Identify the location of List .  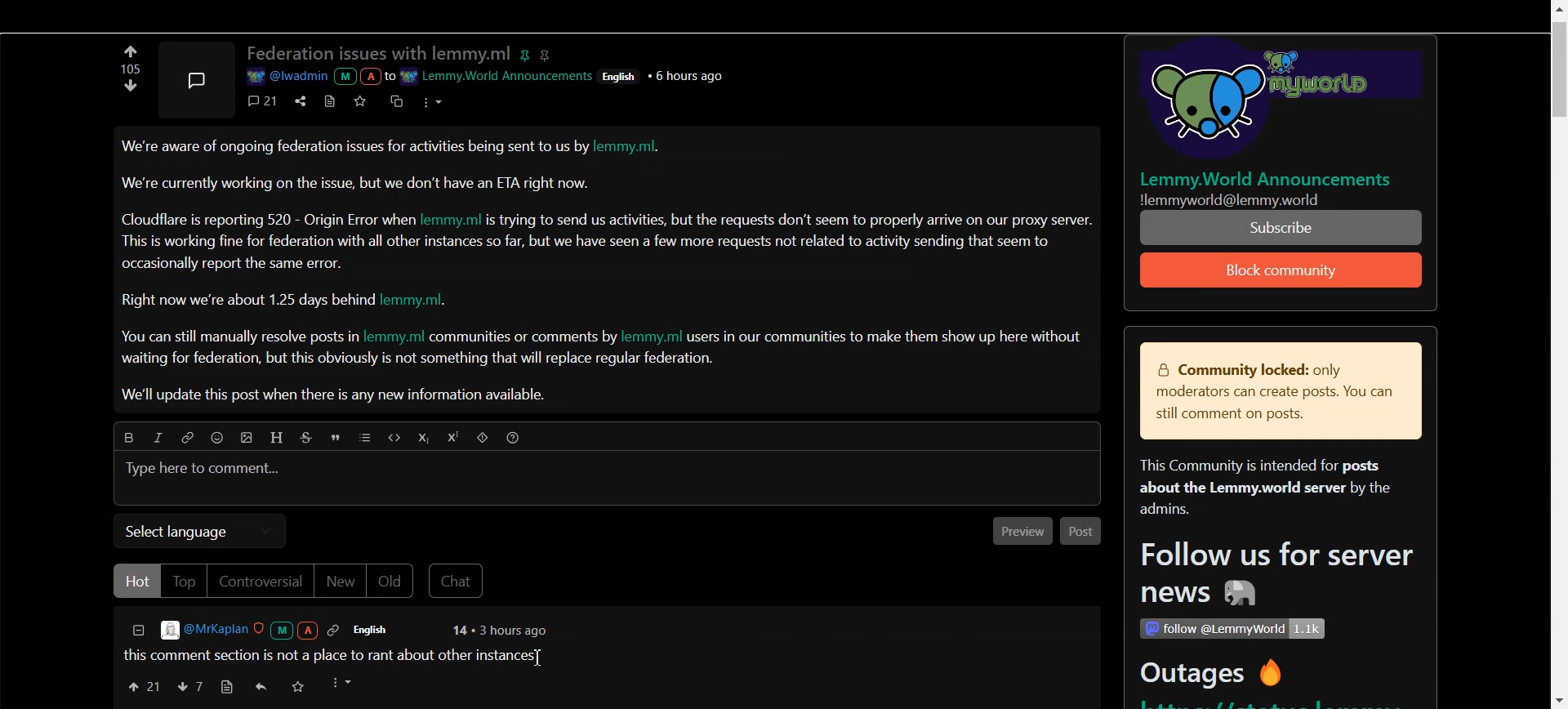
(366, 439).